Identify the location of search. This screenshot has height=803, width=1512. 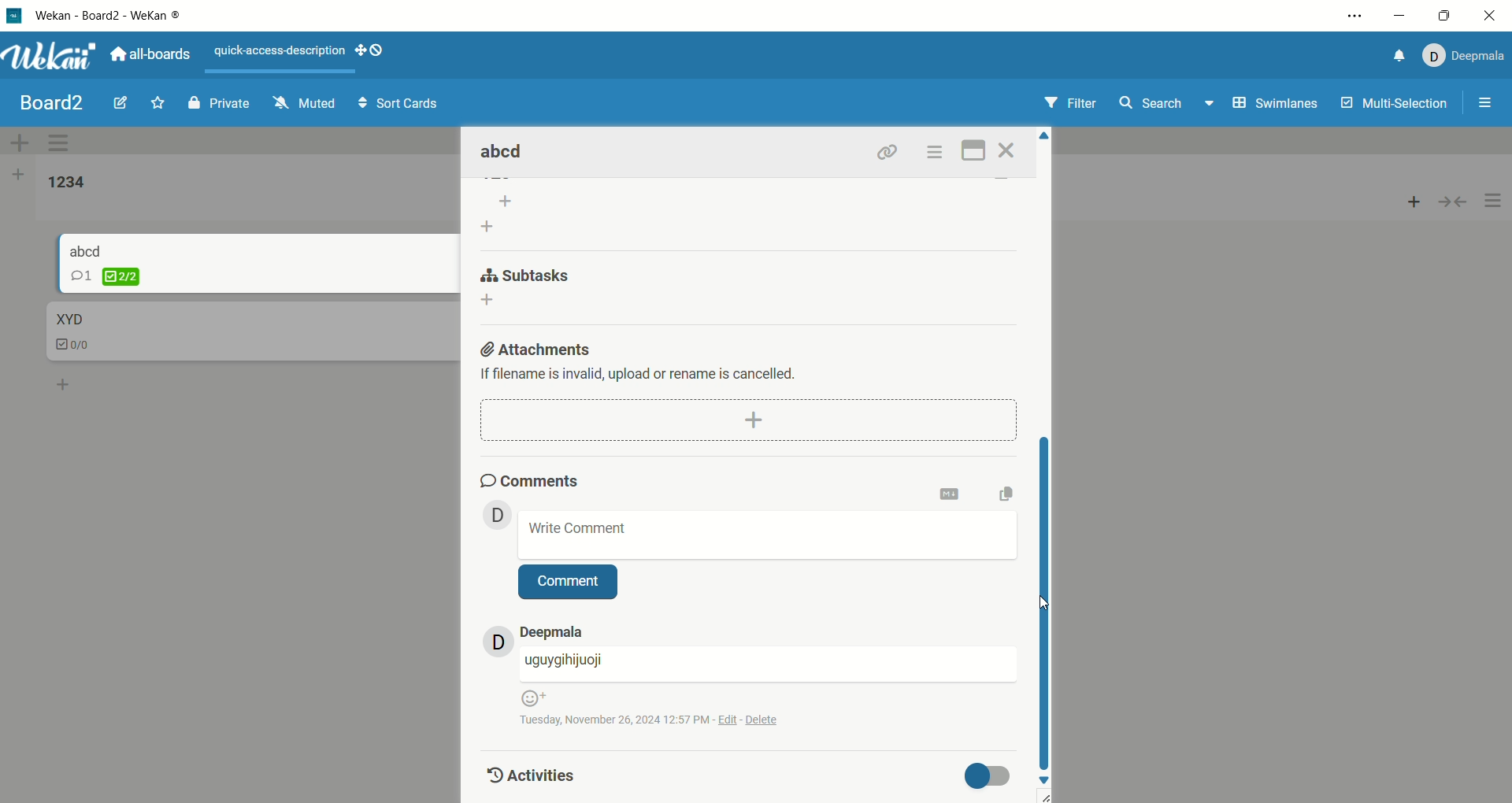
(1168, 105).